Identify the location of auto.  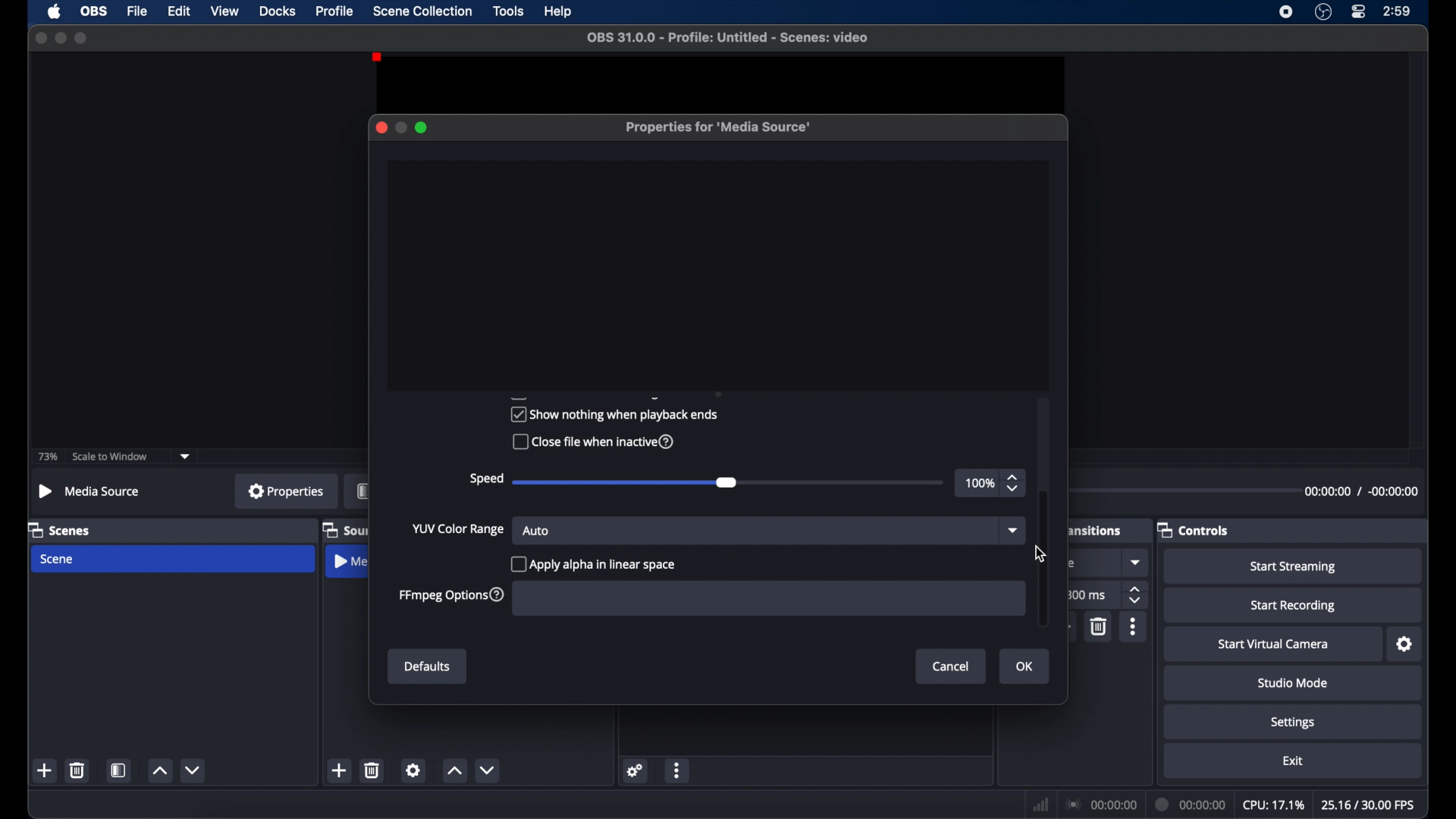
(536, 530).